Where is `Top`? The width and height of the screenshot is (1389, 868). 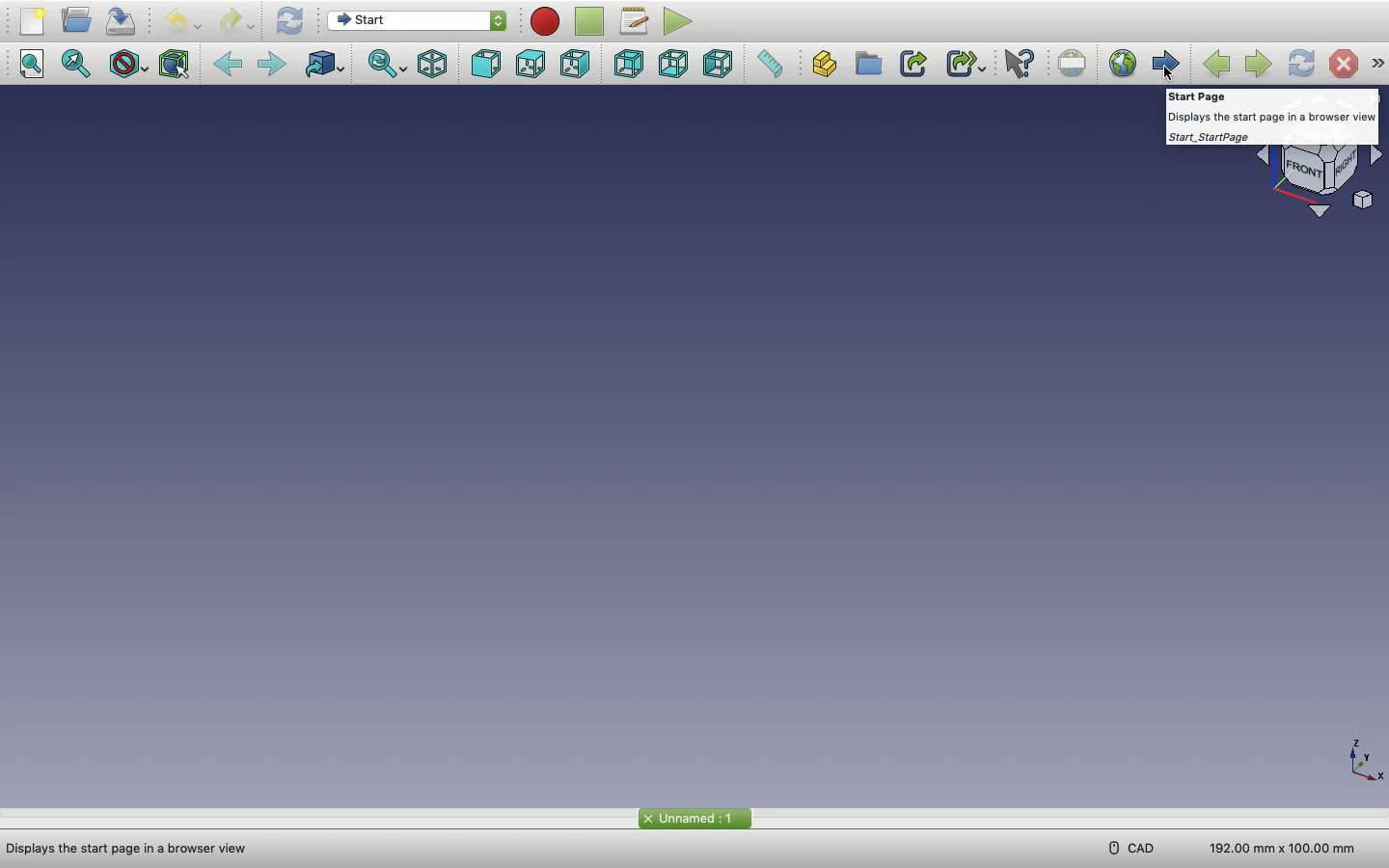
Top is located at coordinates (531, 66).